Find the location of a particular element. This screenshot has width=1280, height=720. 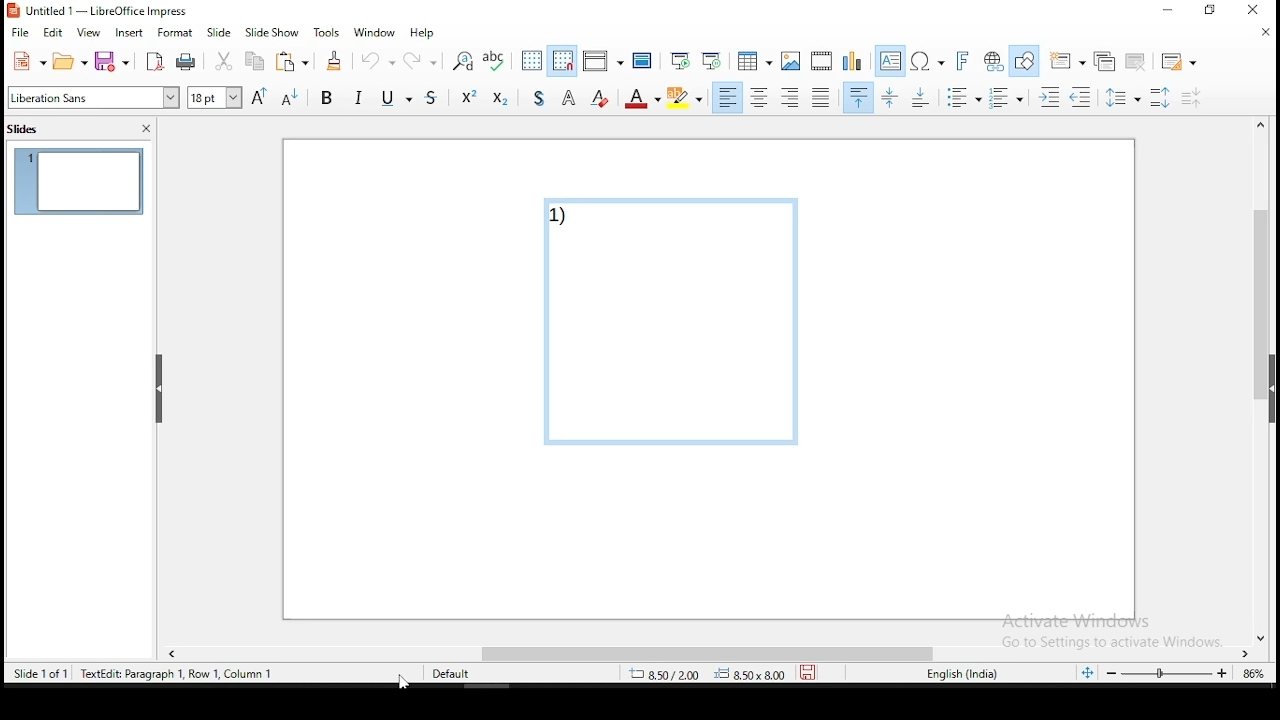

zoom level is located at coordinates (1249, 674).